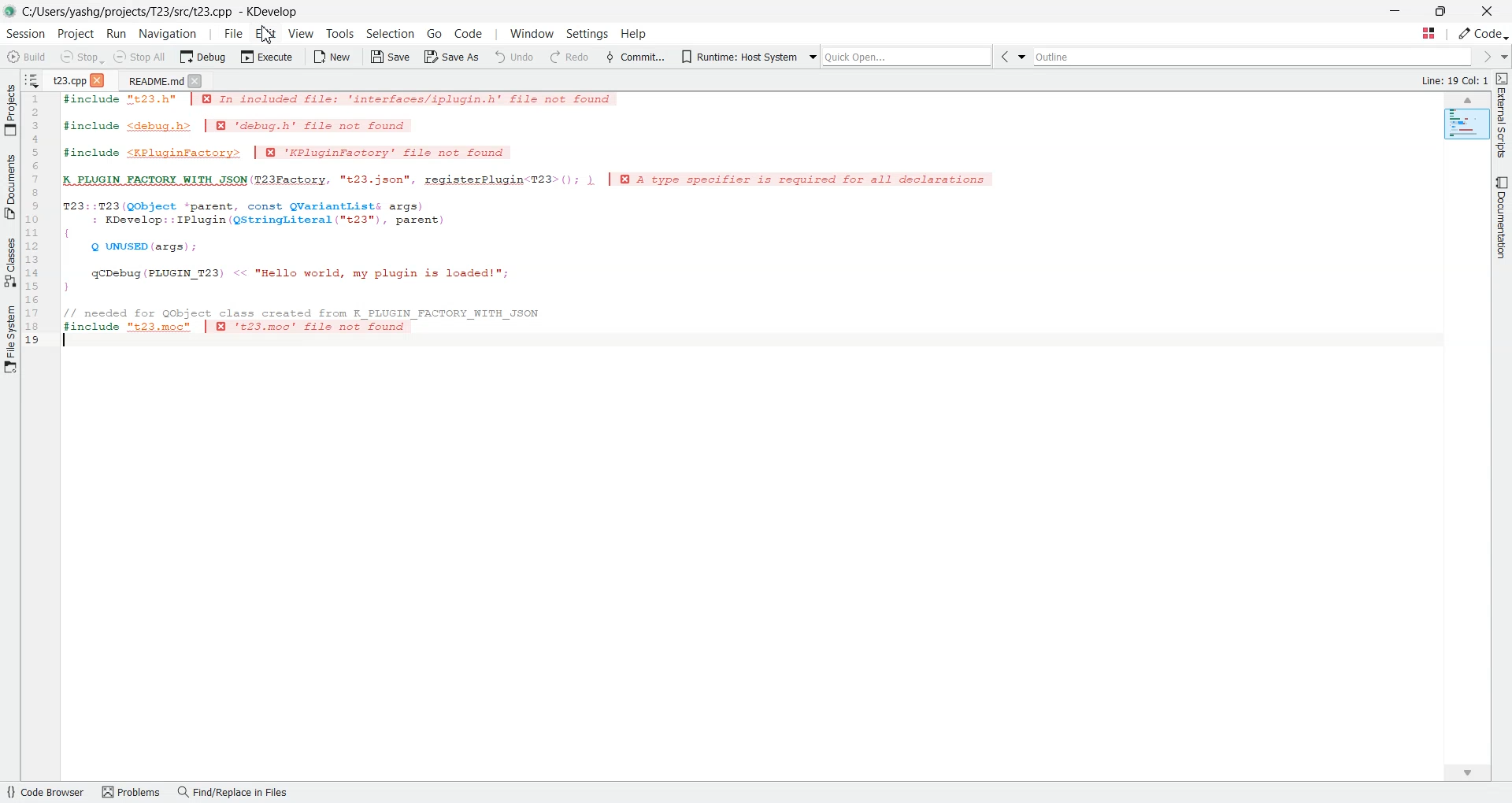  Describe the element at coordinates (11, 343) in the screenshot. I see `File system` at that location.